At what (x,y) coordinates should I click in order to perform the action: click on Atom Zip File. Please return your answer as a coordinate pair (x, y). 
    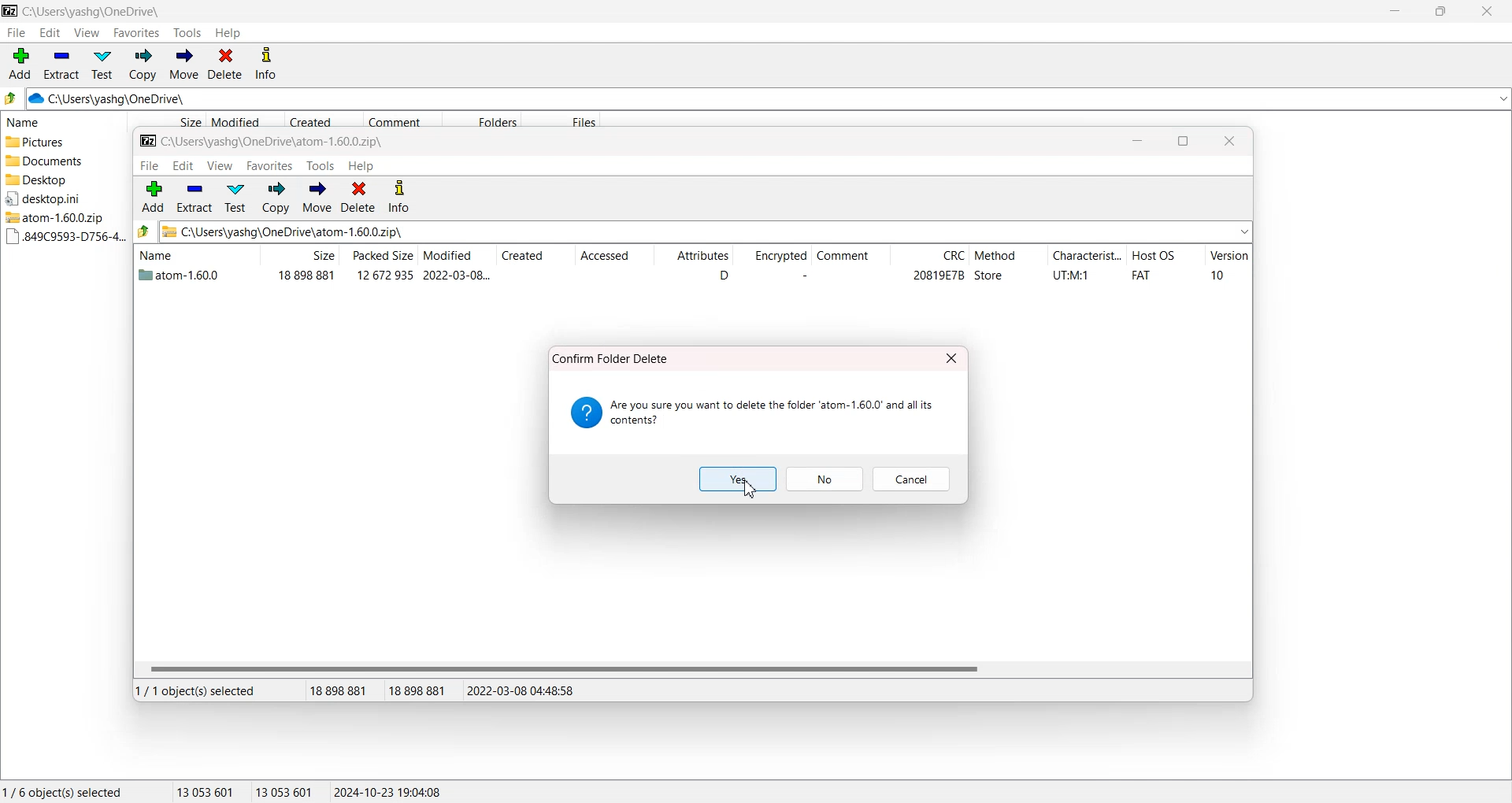
    Looking at the image, I should click on (60, 217).